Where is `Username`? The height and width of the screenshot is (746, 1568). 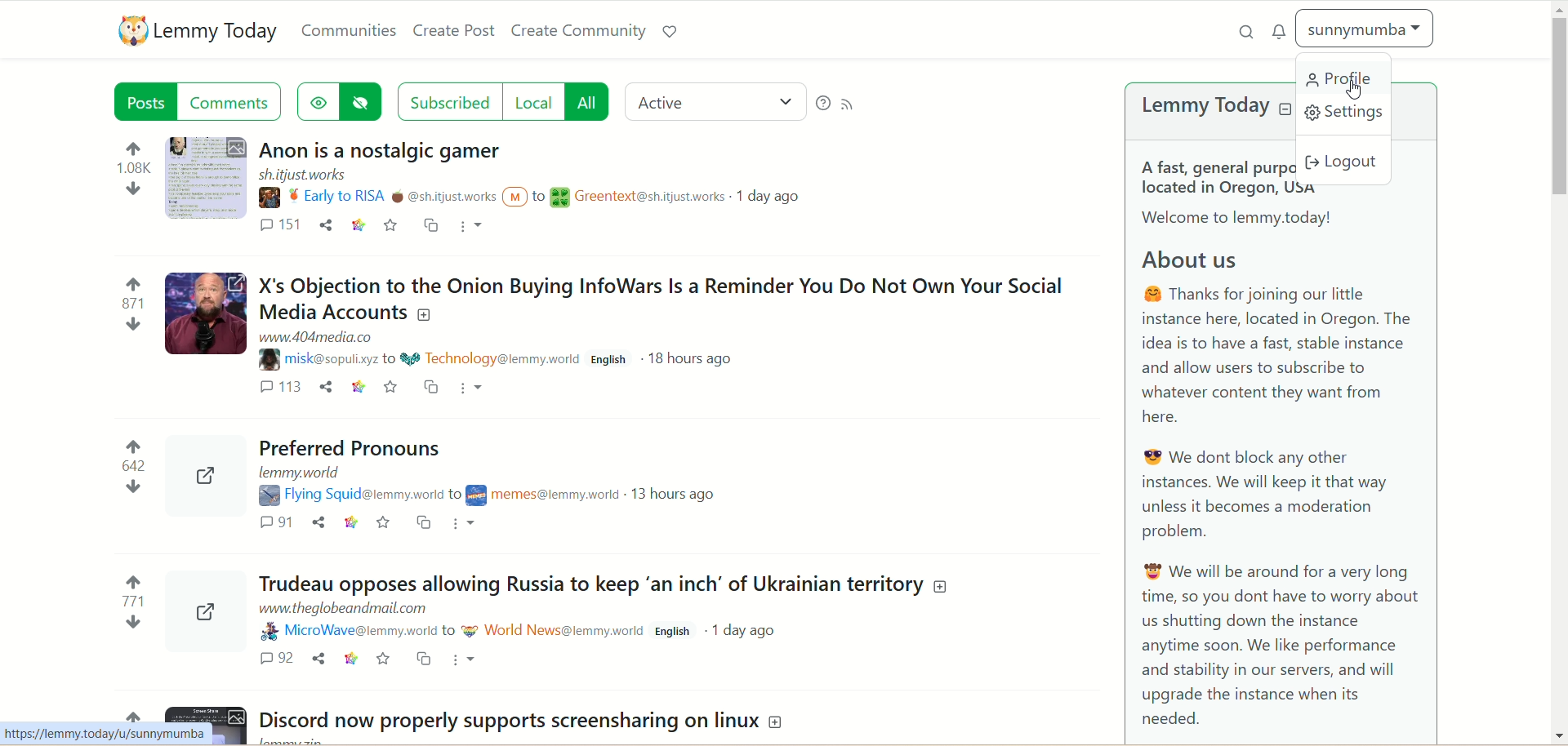 Username is located at coordinates (353, 495).